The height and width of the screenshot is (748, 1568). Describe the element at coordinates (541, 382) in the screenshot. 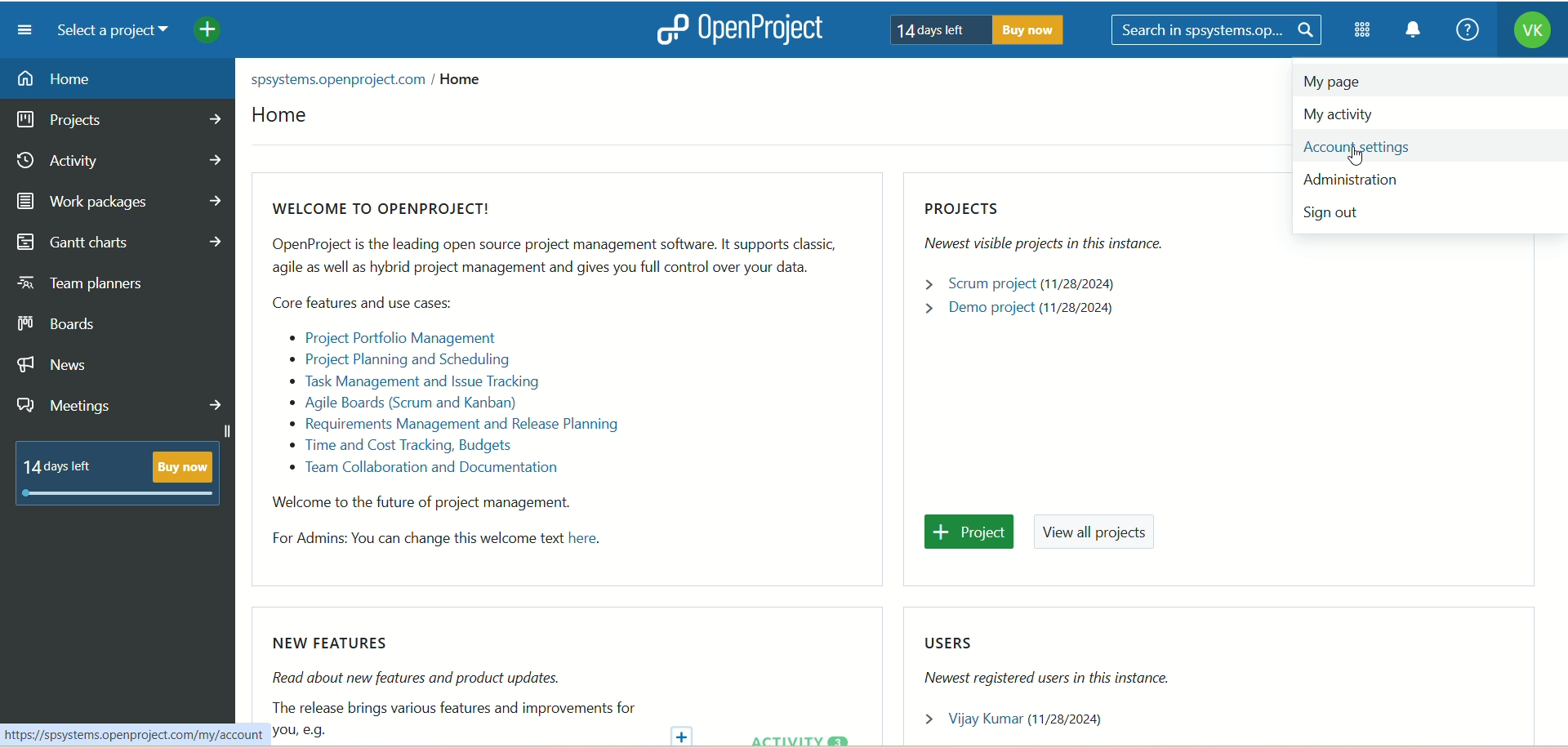

I see `text` at that location.